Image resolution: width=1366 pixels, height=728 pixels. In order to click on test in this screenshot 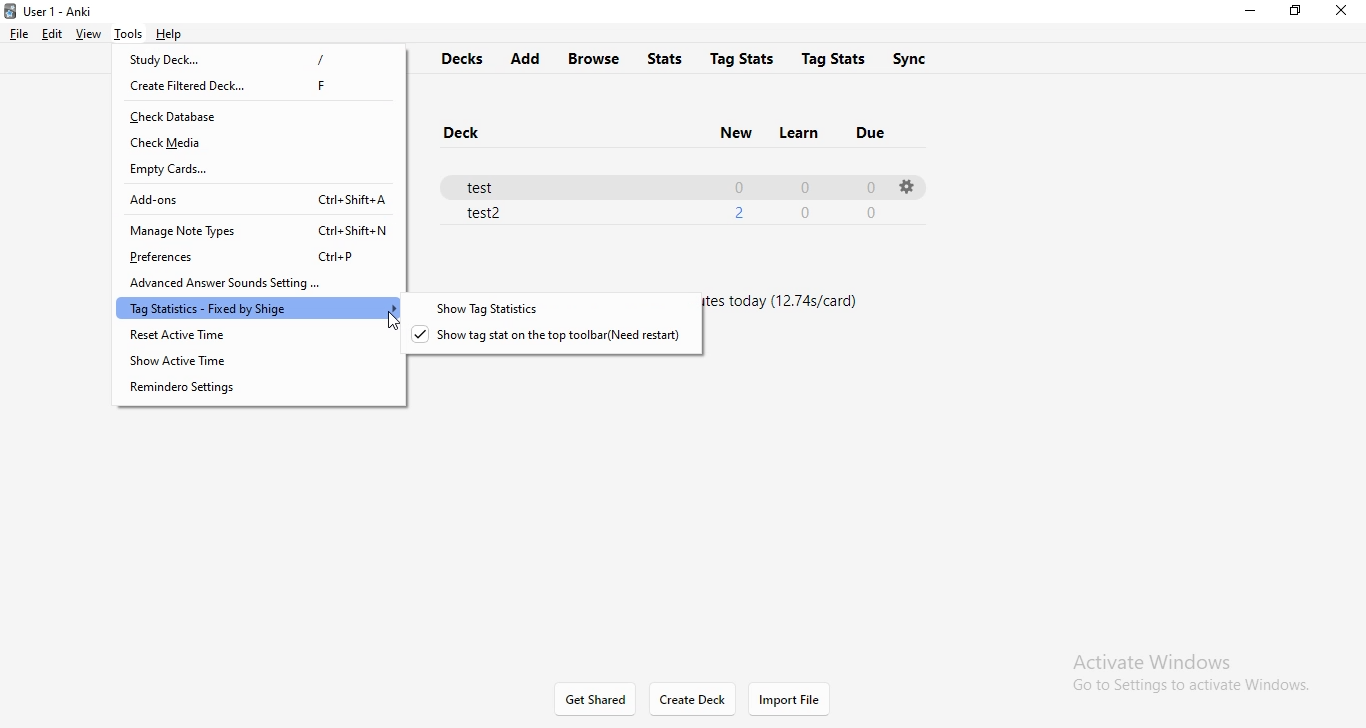, I will do `click(660, 185)`.